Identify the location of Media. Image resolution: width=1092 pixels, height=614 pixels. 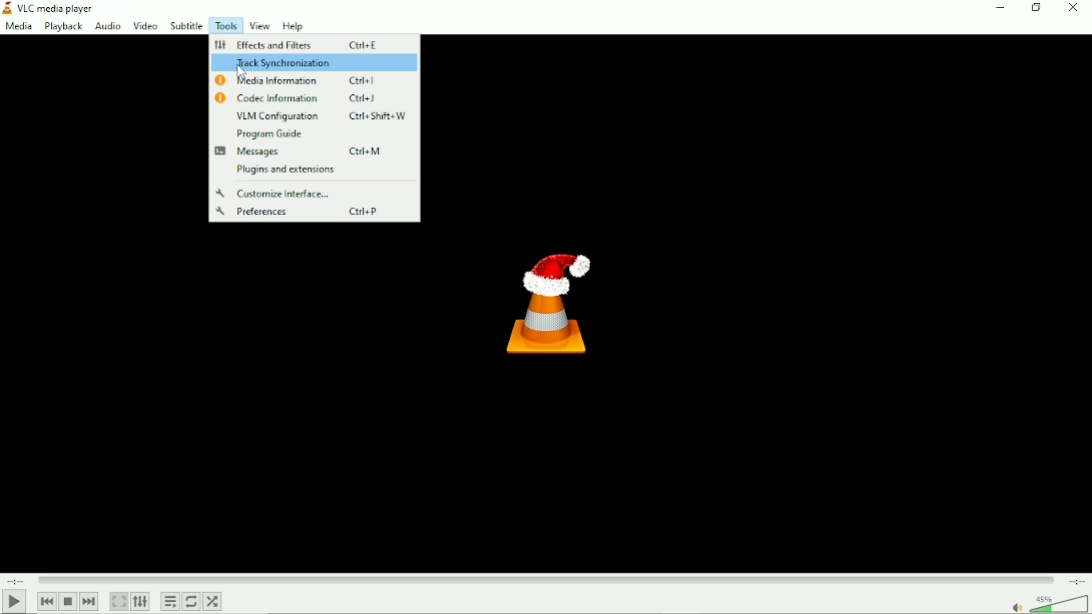
(17, 27).